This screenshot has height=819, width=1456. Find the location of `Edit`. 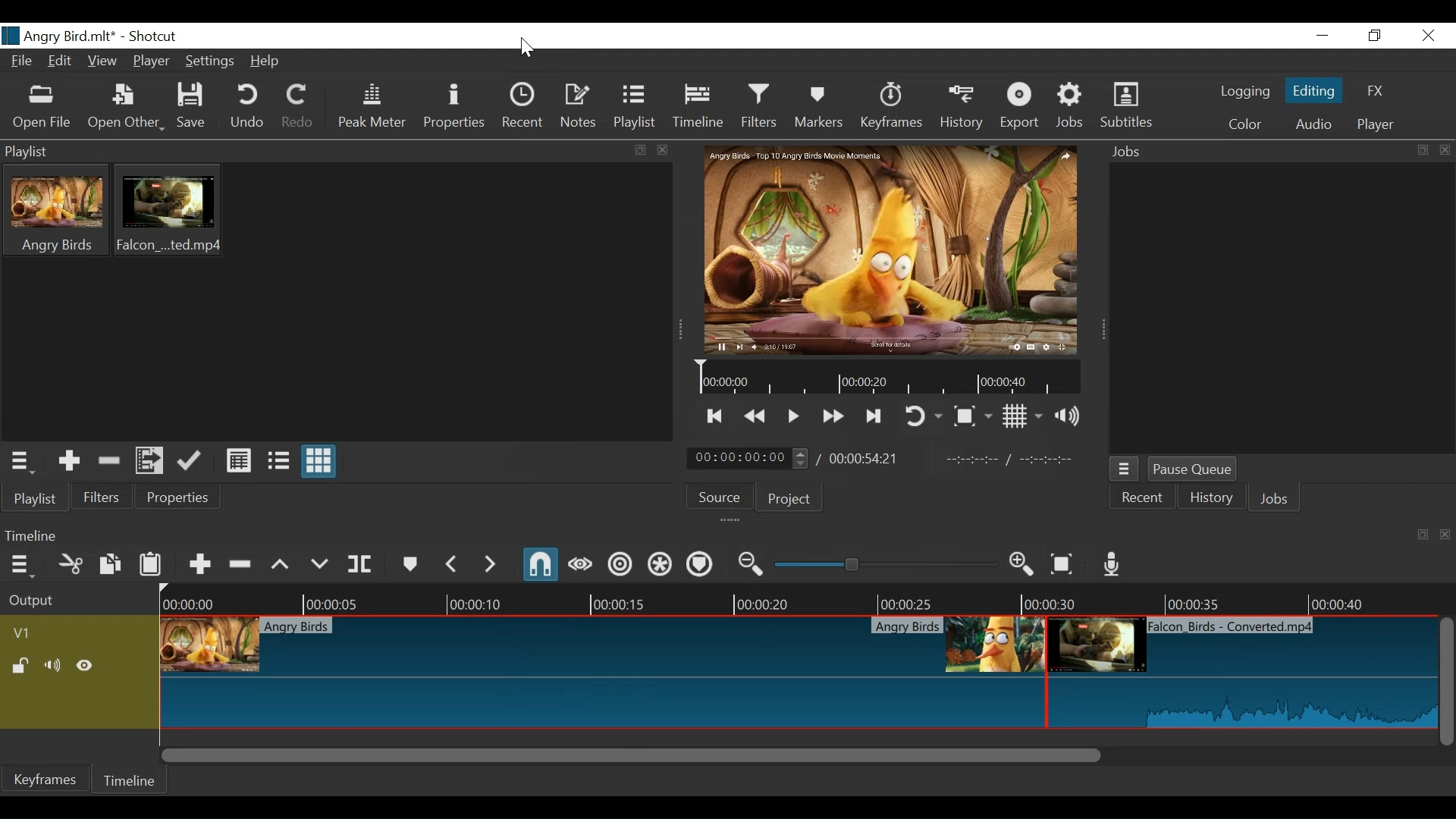

Edit is located at coordinates (61, 61).